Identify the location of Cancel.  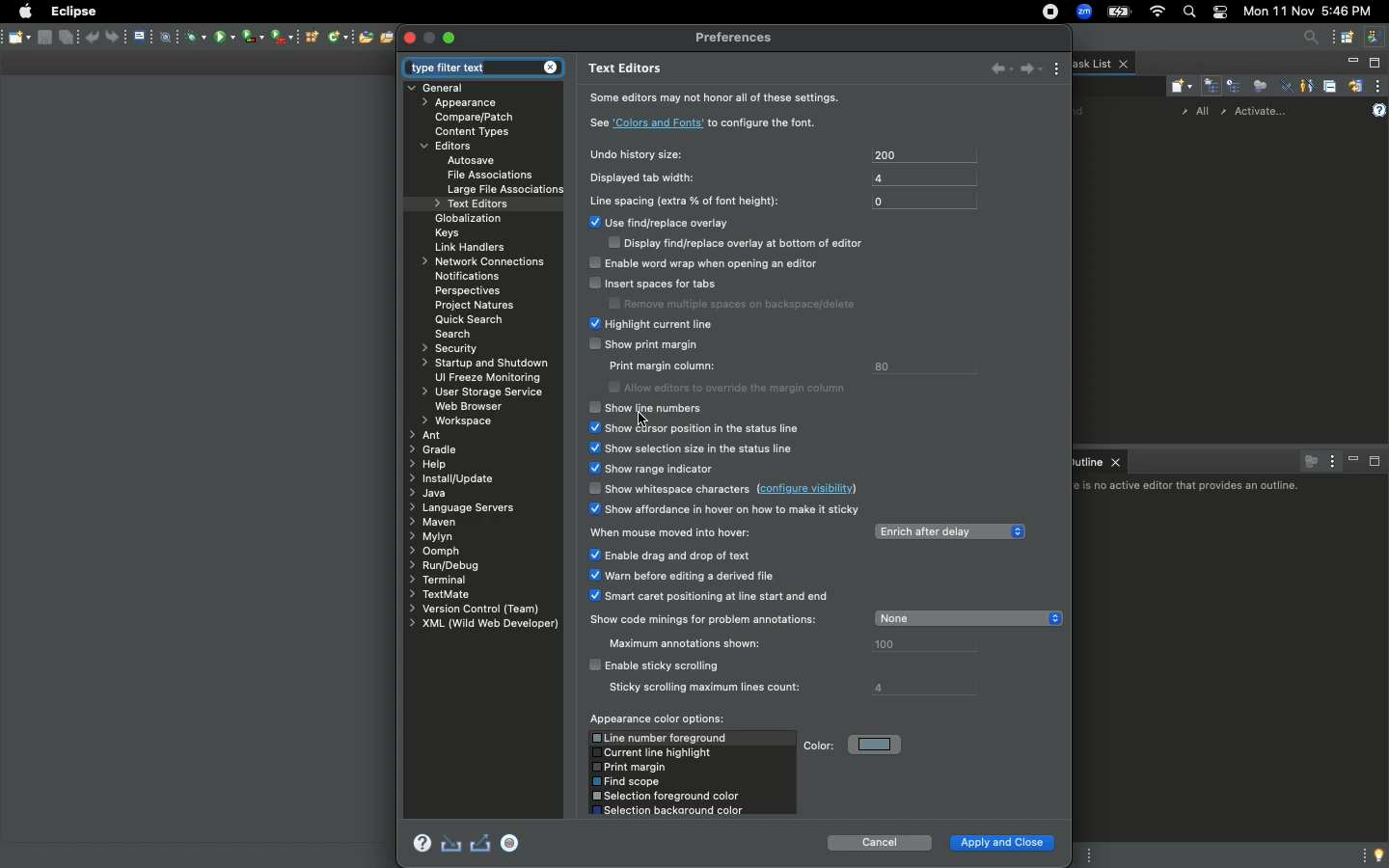
(881, 840).